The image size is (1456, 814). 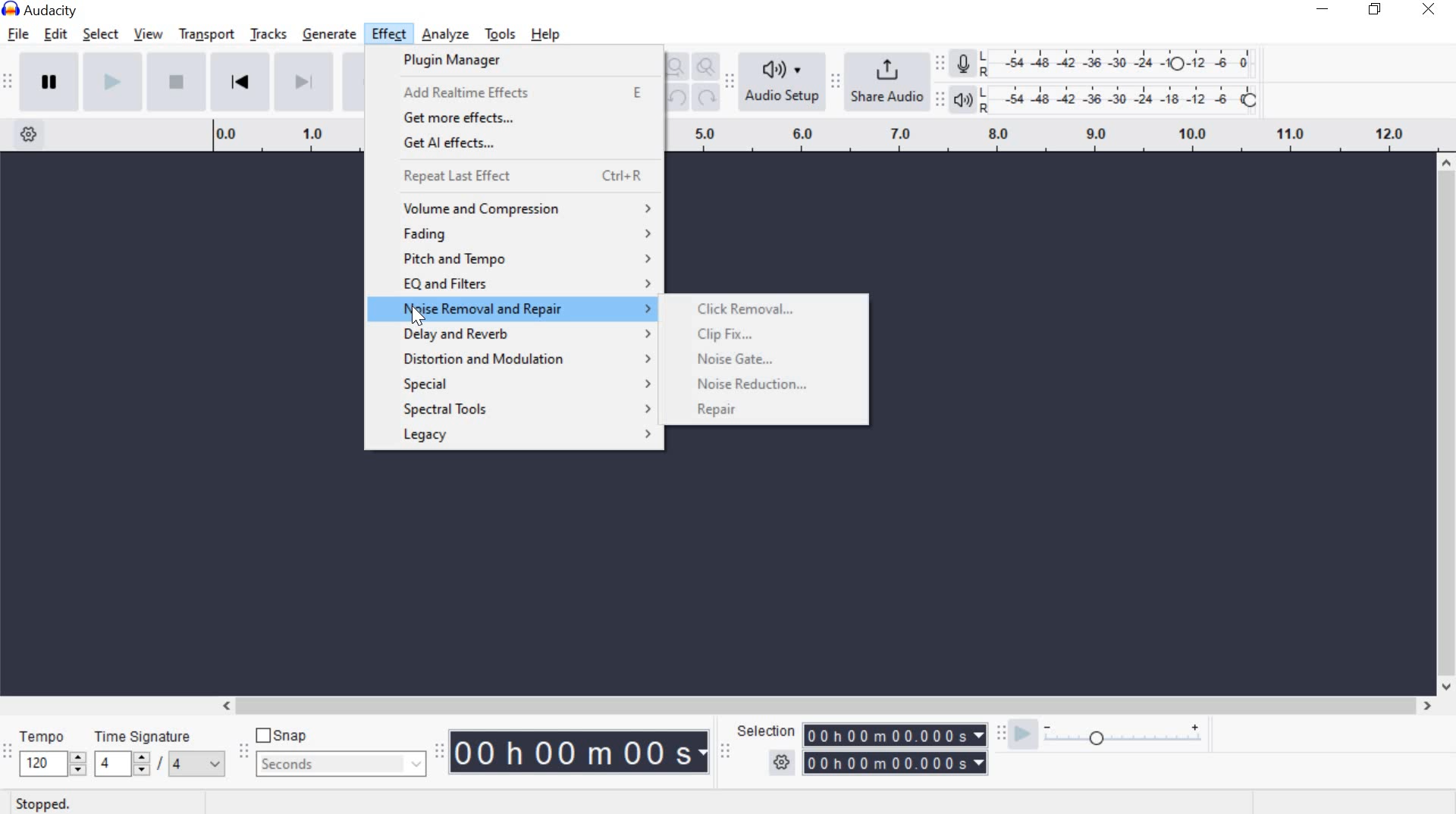 What do you see at coordinates (501, 33) in the screenshot?
I see `tools` at bounding box center [501, 33].